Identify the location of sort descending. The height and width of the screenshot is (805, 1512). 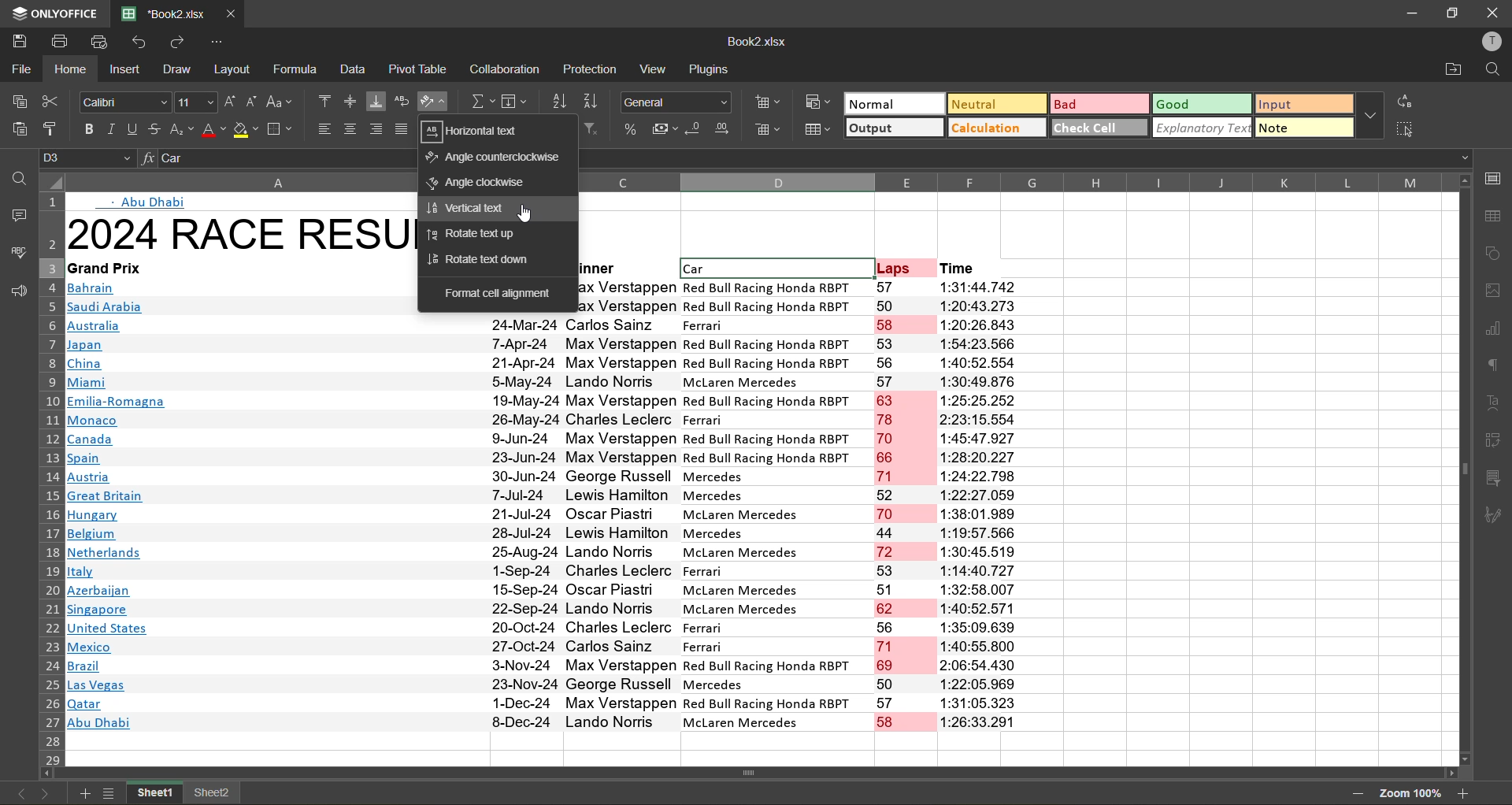
(591, 103).